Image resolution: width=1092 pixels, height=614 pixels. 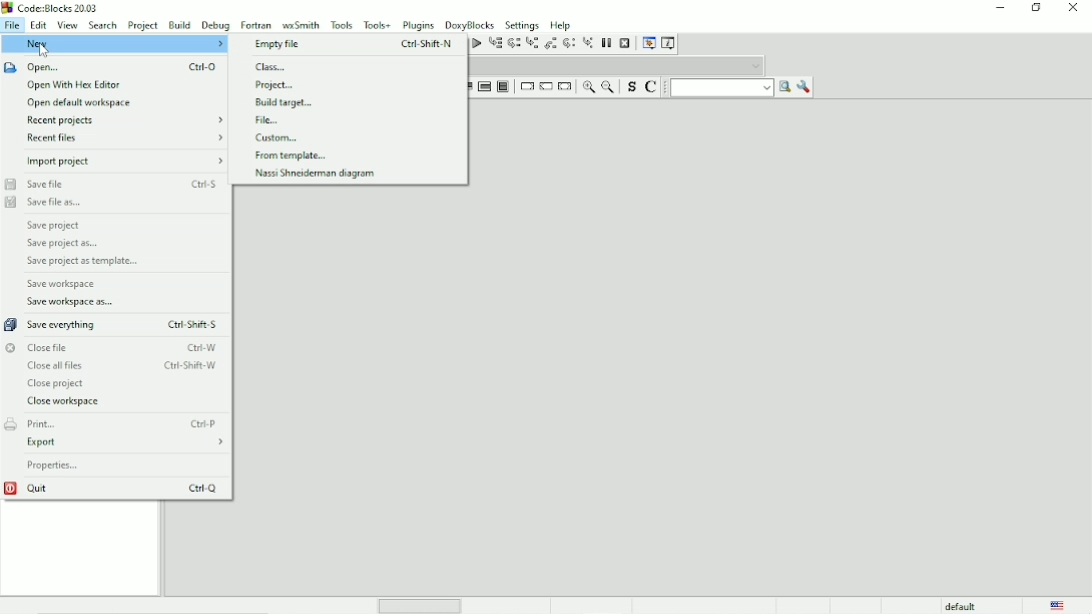 What do you see at coordinates (1058, 605) in the screenshot?
I see `Language` at bounding box center [1058, 605].